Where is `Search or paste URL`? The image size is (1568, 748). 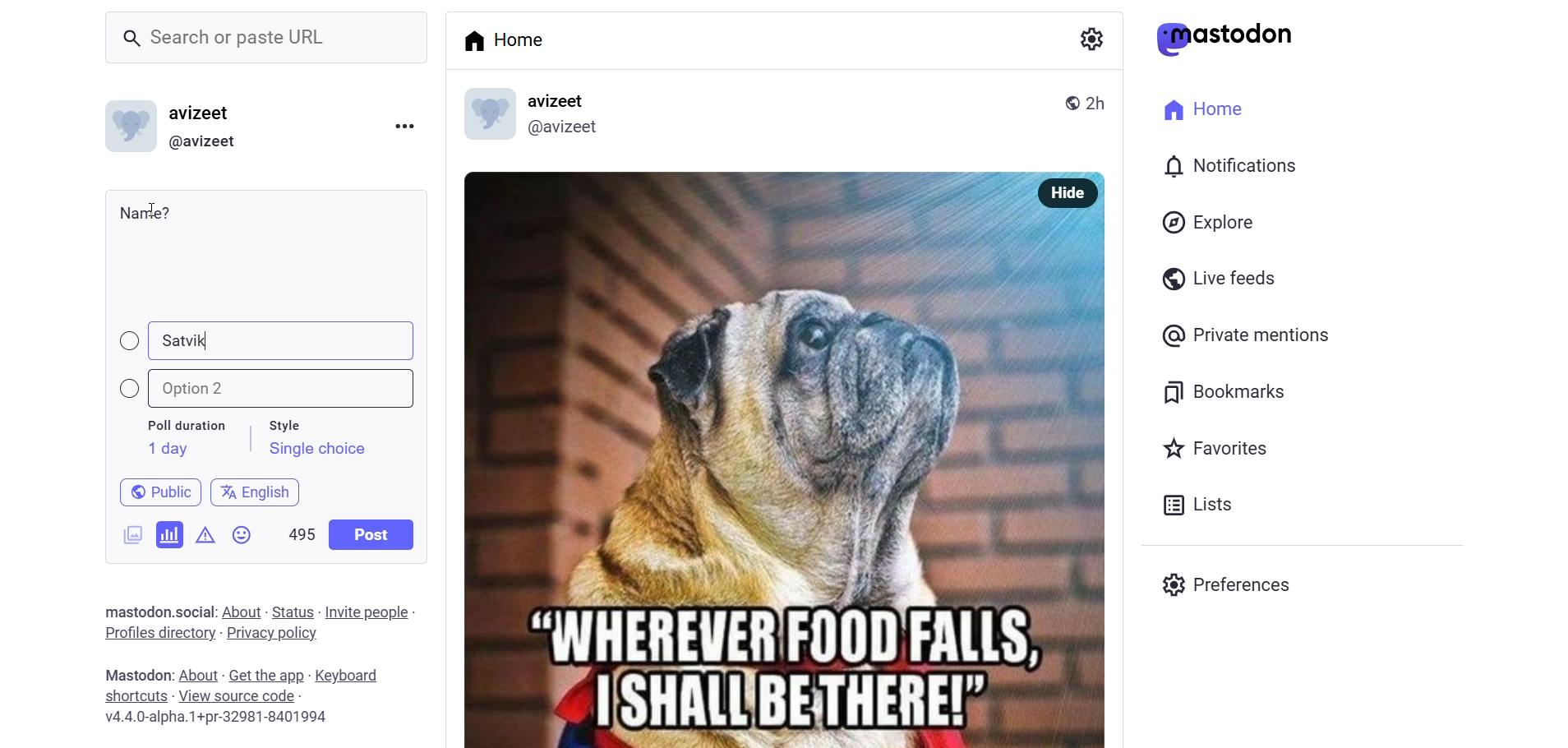
Search or paste URL is located at coordinates (266, 38).